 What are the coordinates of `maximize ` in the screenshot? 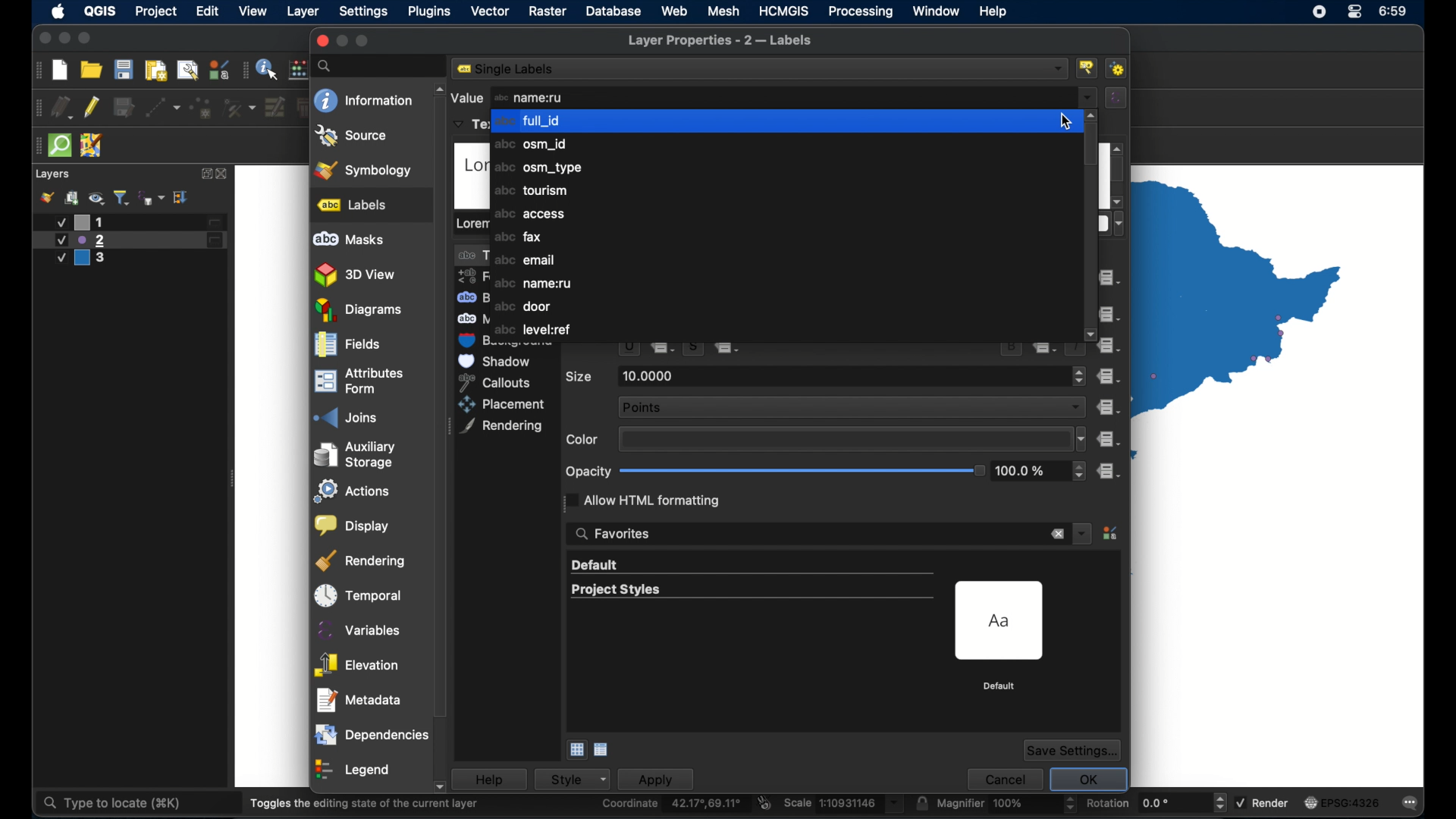 It's located at (86, 39).